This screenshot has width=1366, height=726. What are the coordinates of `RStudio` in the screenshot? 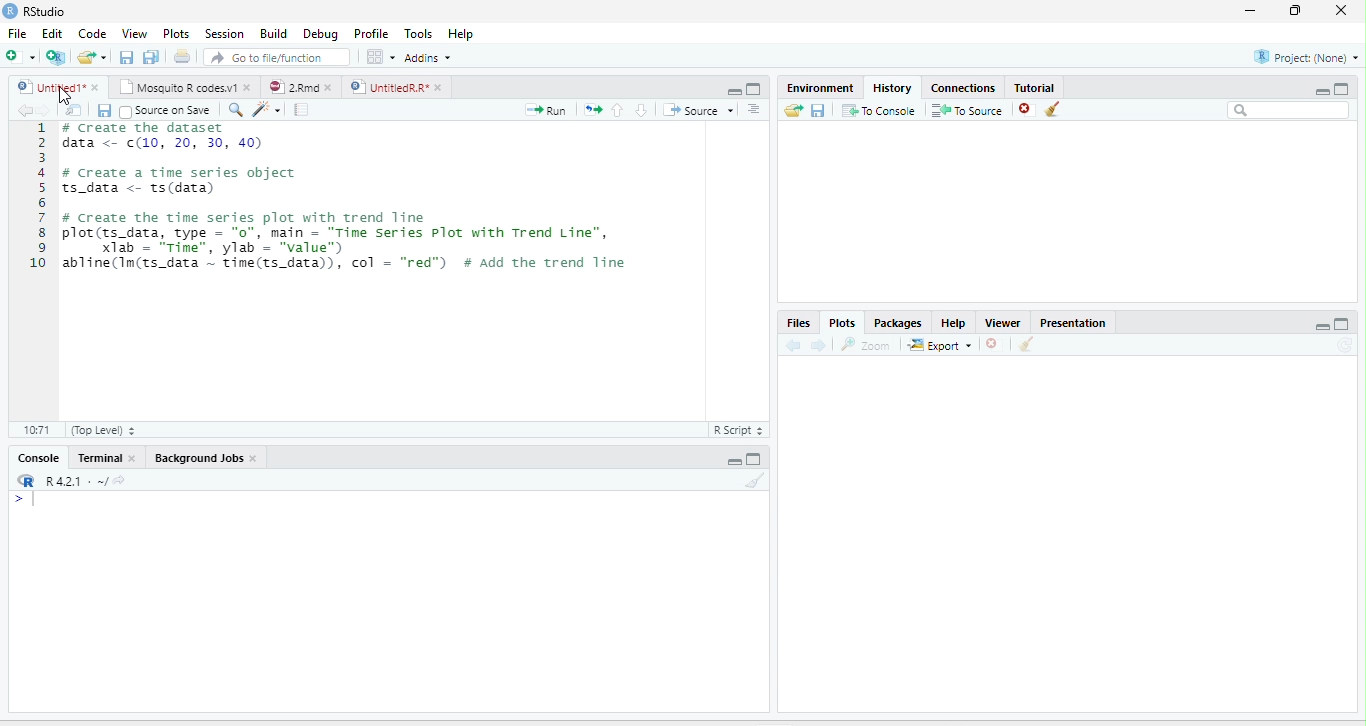 It's located at (34, 10).